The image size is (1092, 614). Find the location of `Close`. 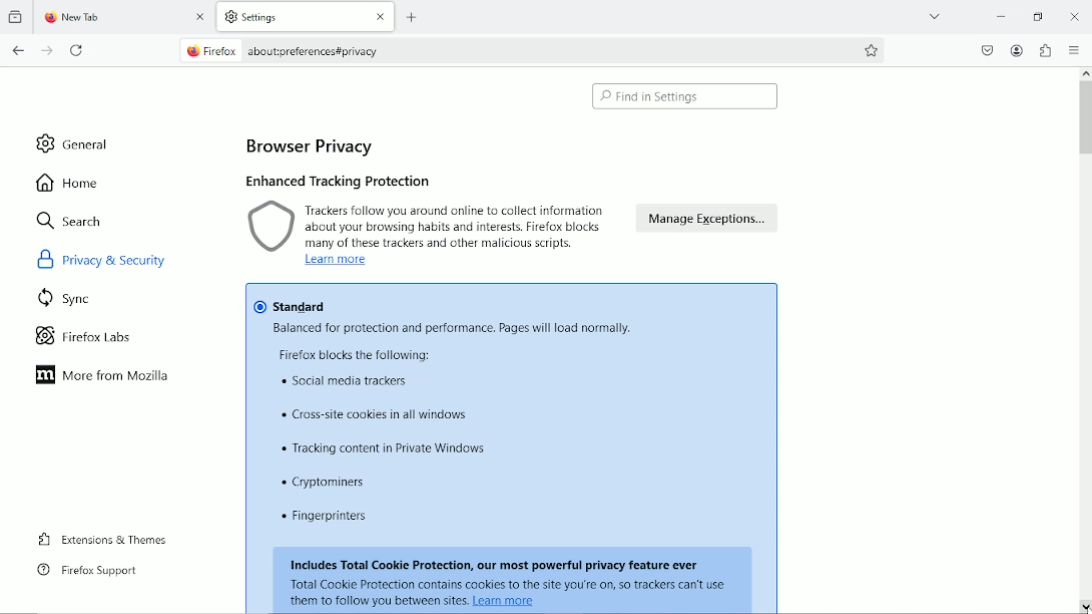

Close is located at coordinates (1076, 18).